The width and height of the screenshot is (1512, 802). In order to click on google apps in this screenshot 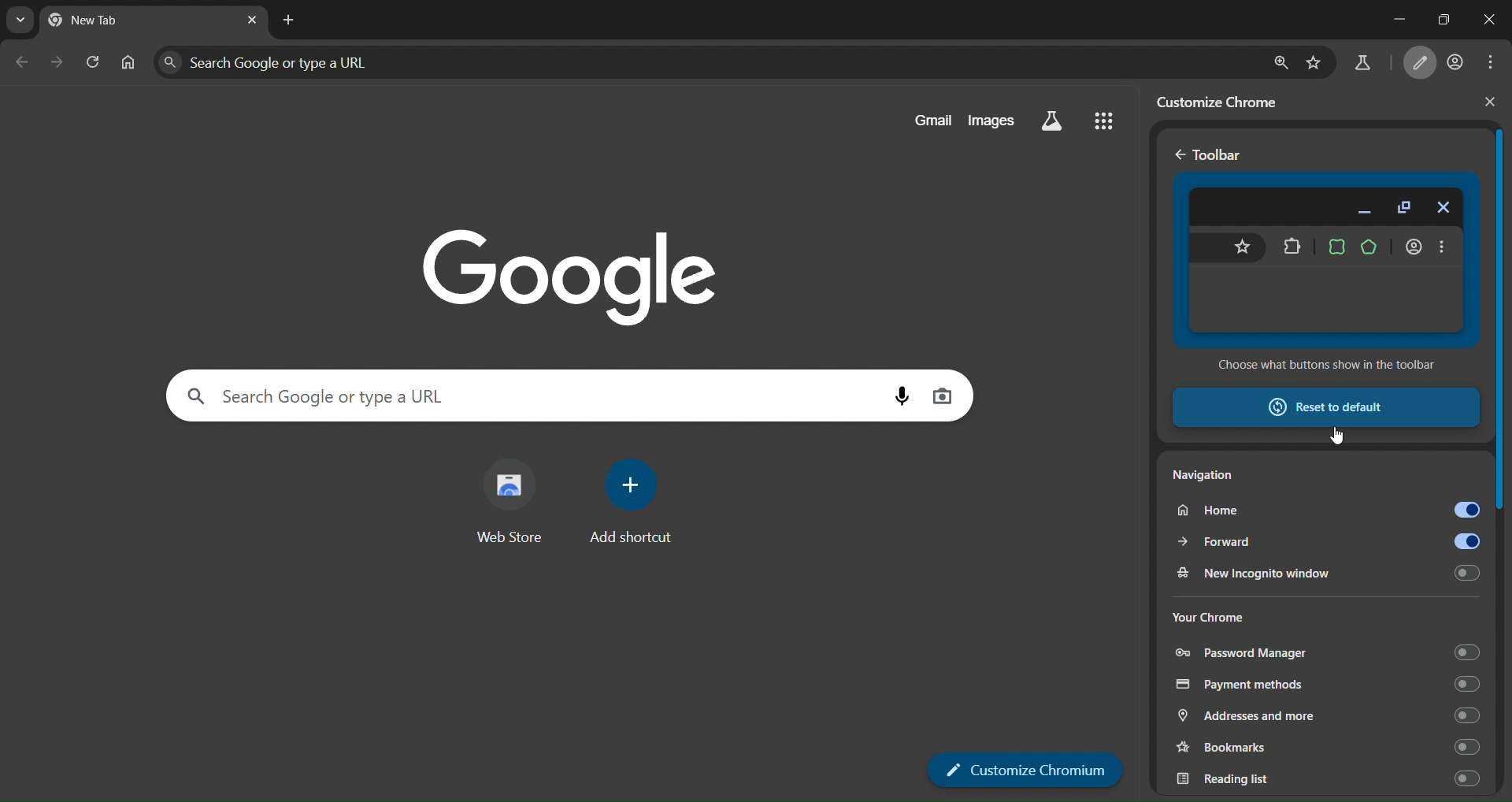, I will do `click(1104, 121)`.